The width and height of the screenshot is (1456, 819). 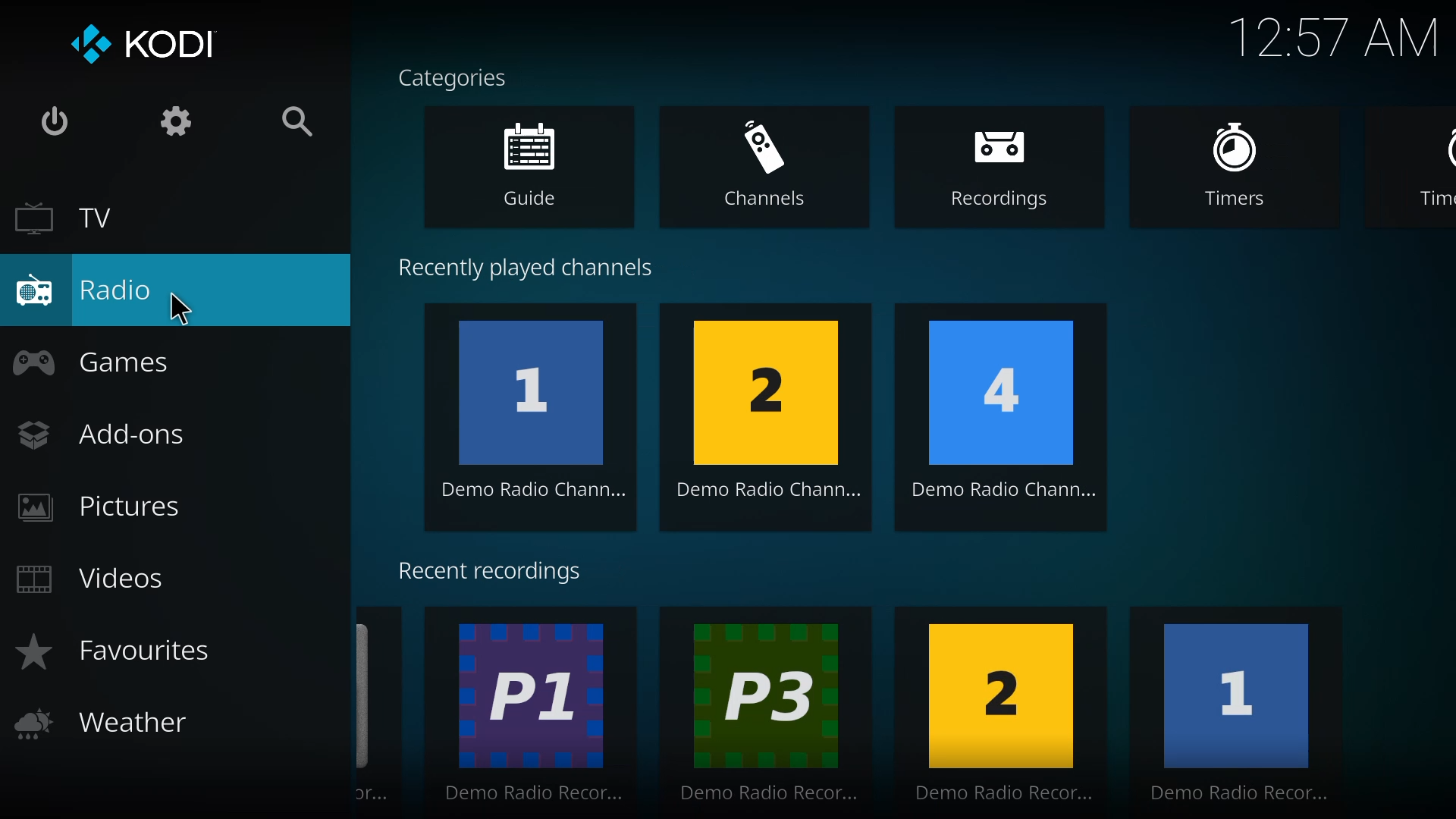 What do you see at coordinates (1006, 171) in the screenshot?
I see `recordings` at bounding box center [1006, 171].